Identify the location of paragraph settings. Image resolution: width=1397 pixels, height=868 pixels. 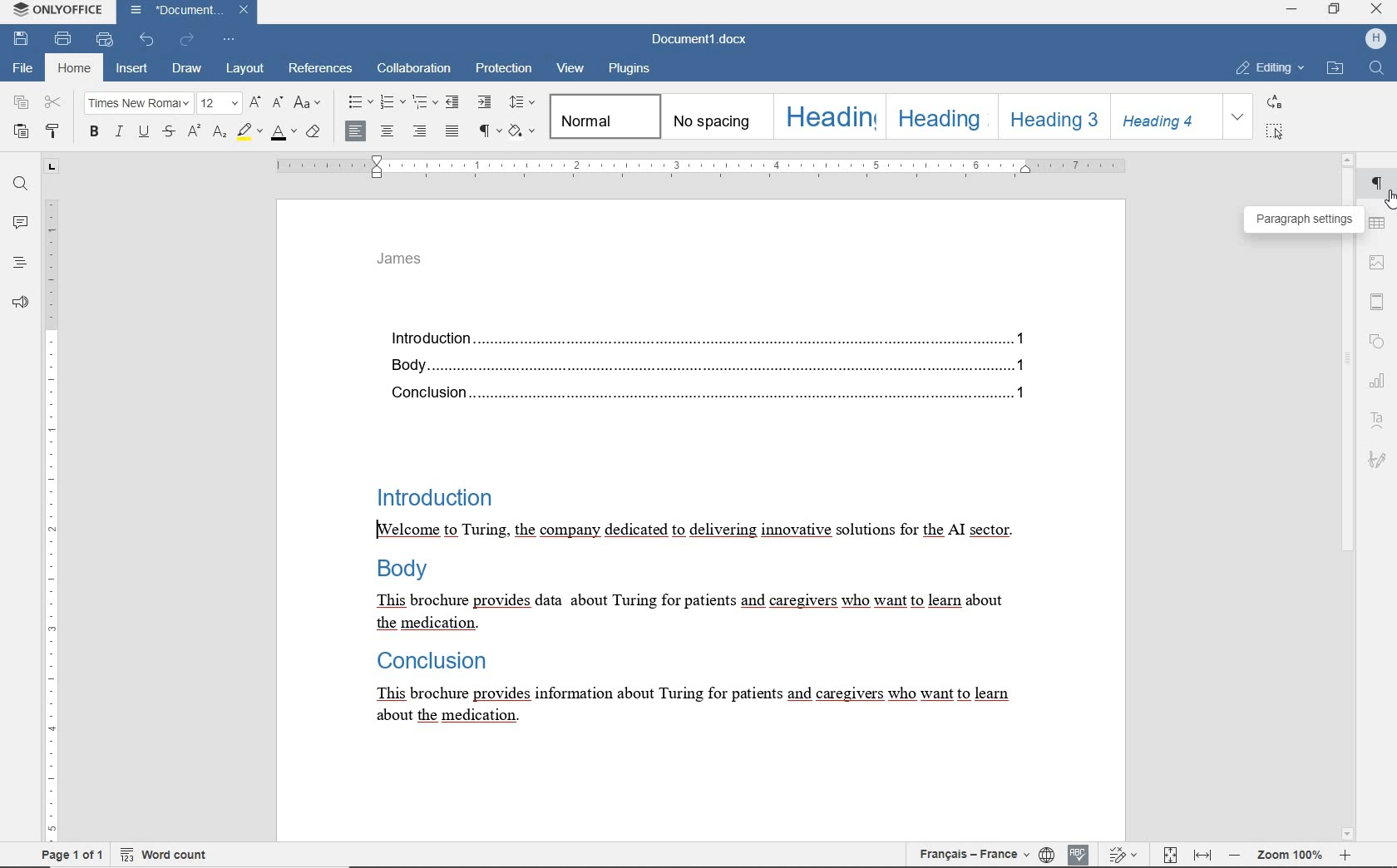
(1304, 220).